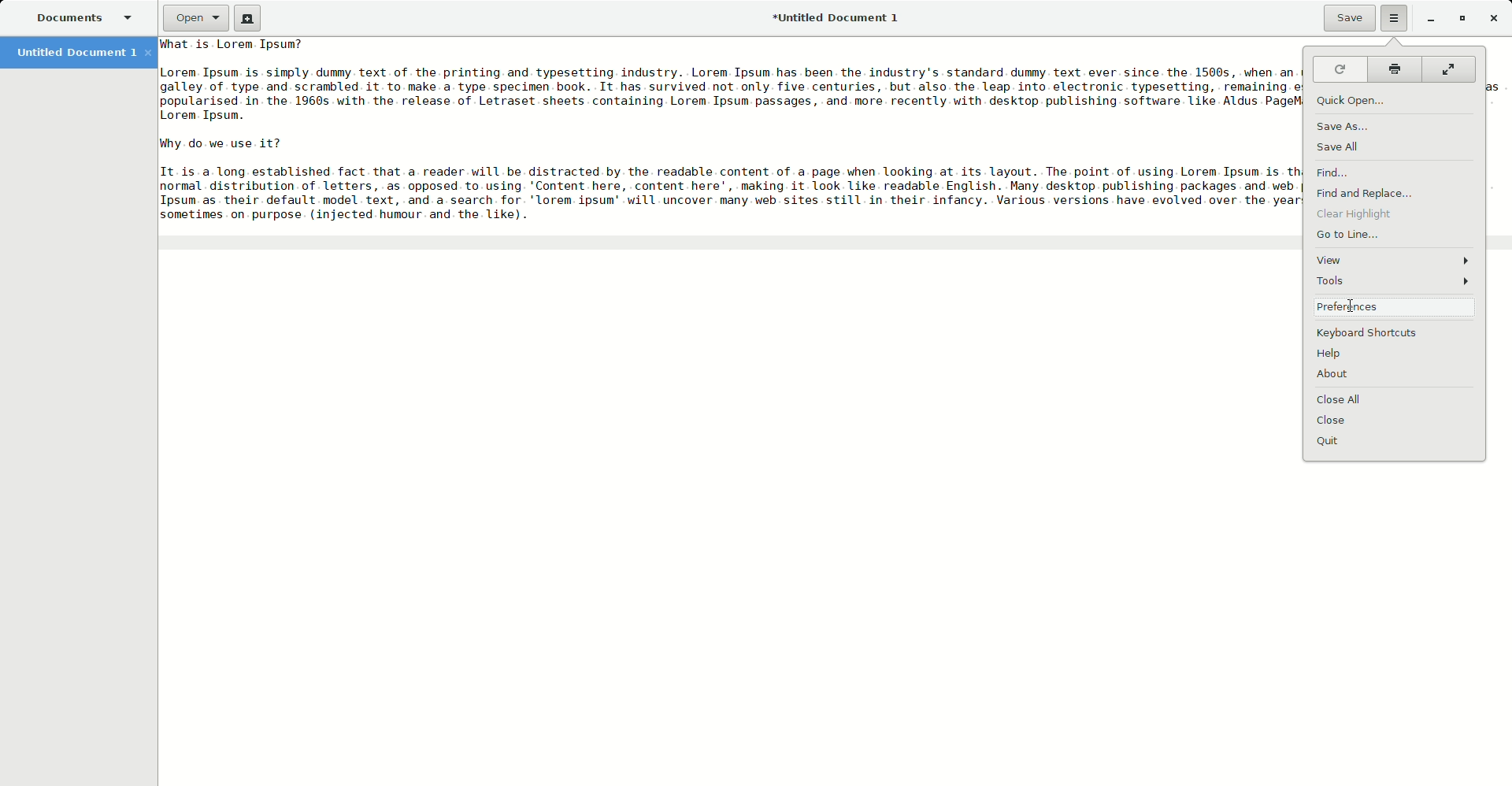 This screenshot has height=786, width=1512. Describe the element at coordinates (730, 130) in the screenshot. I see `Paragraphs` at that location.